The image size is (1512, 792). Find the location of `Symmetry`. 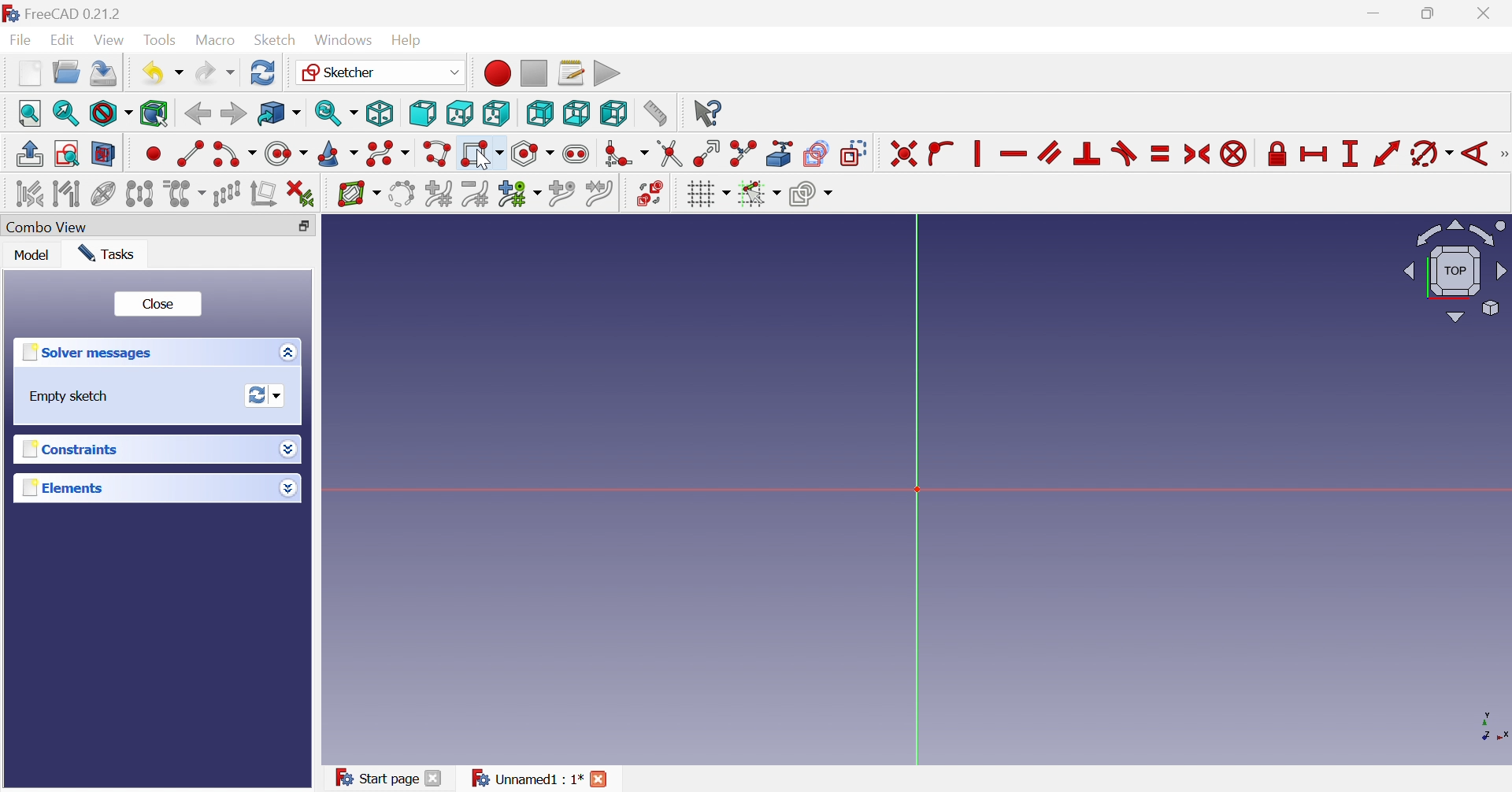

Symmetry is located at coordinates (139, 194).